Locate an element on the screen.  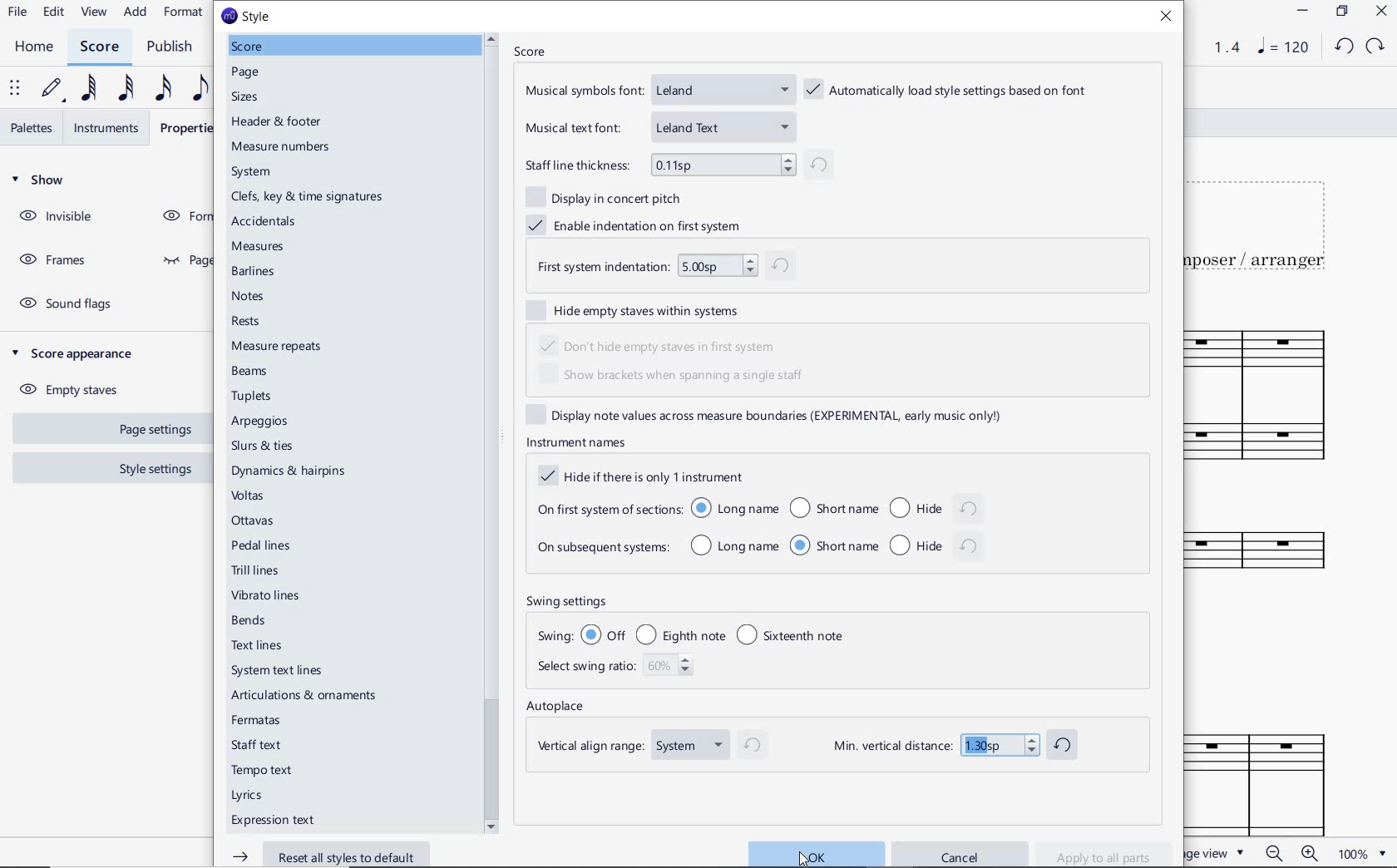
ok is located at coordinates (815, 852).